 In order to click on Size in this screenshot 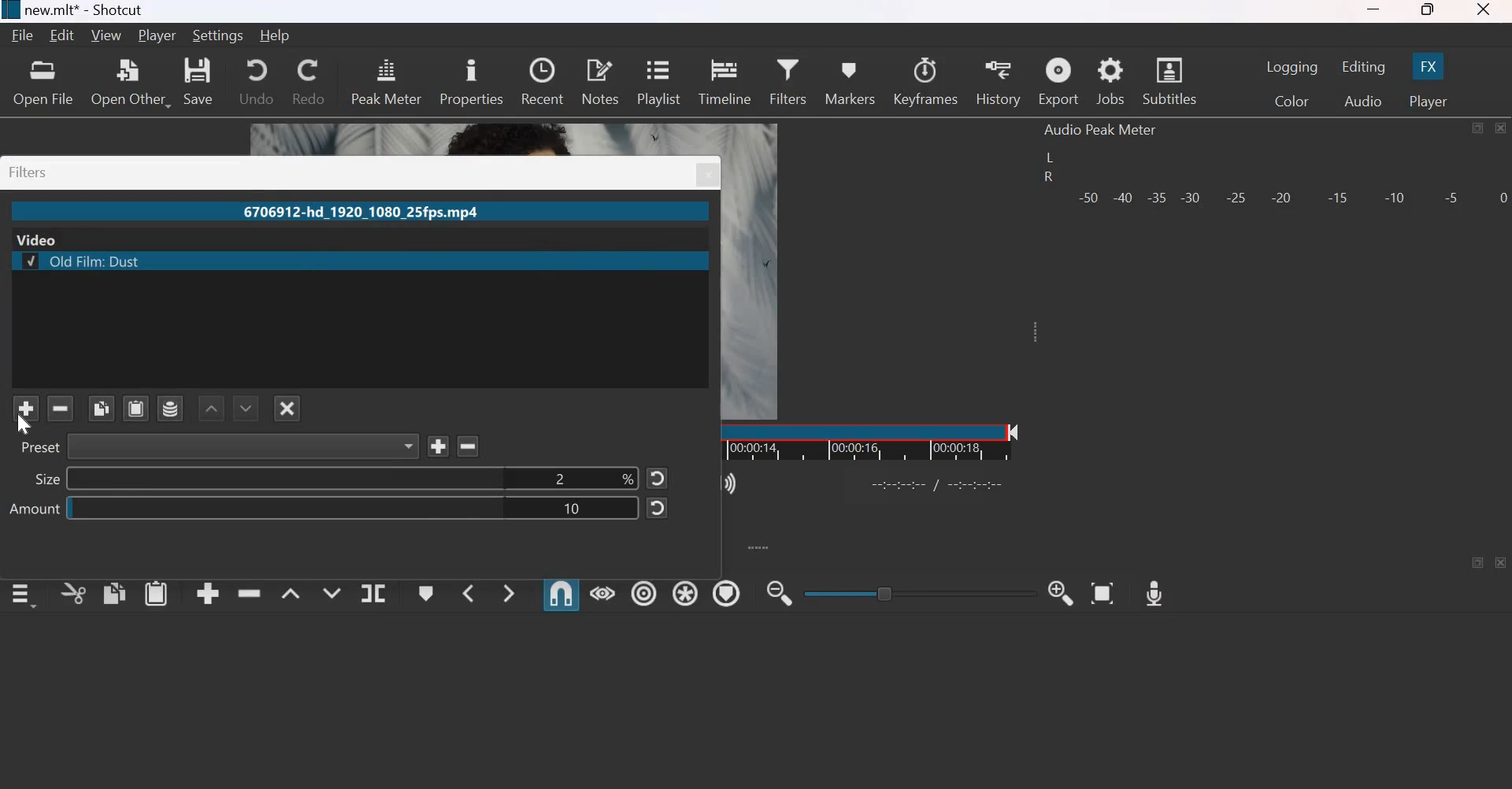, I will do `click(48, 480)`.